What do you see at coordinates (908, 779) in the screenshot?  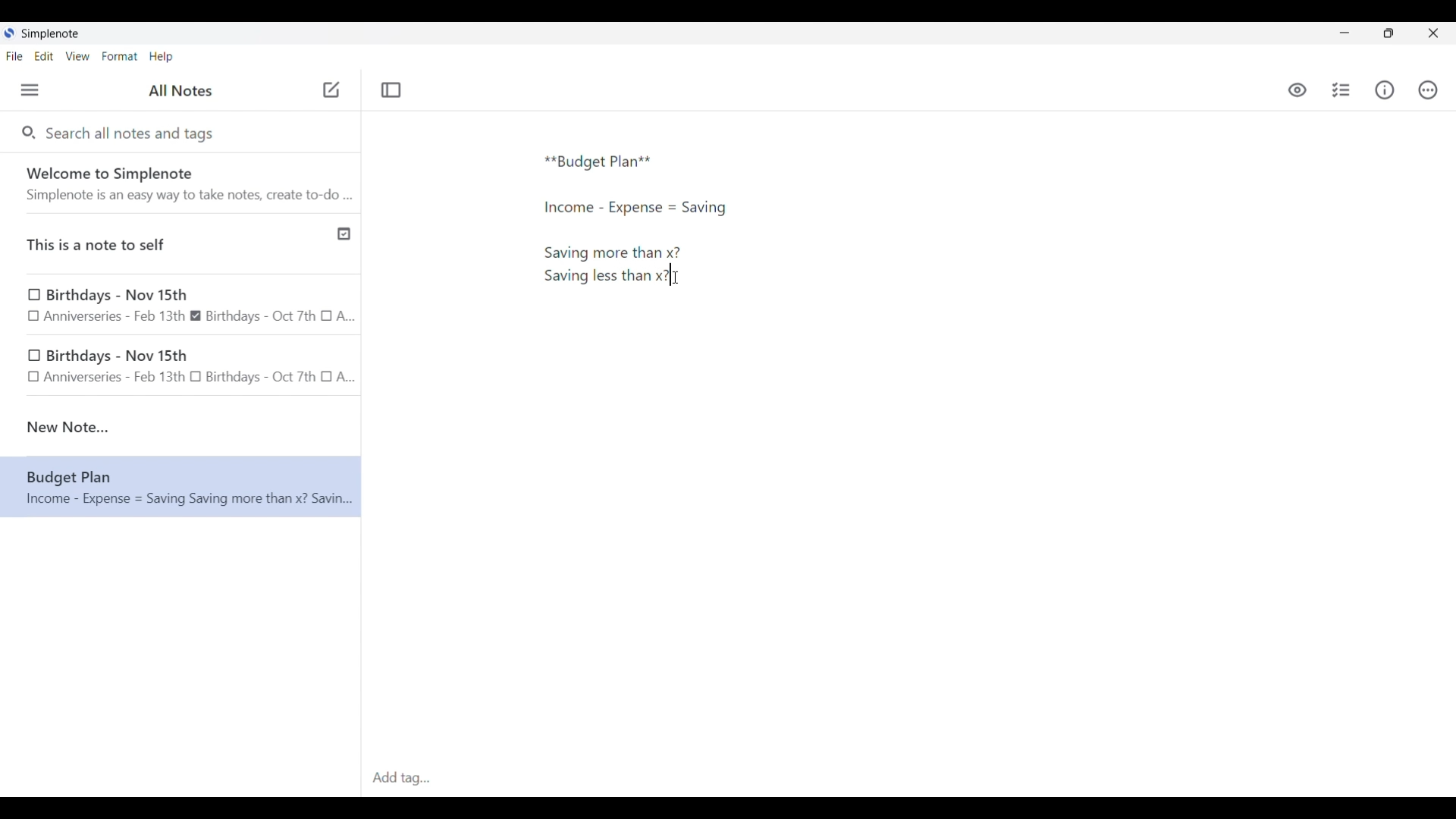 I see `Click to type in tags` at bounding box center [908, 779].